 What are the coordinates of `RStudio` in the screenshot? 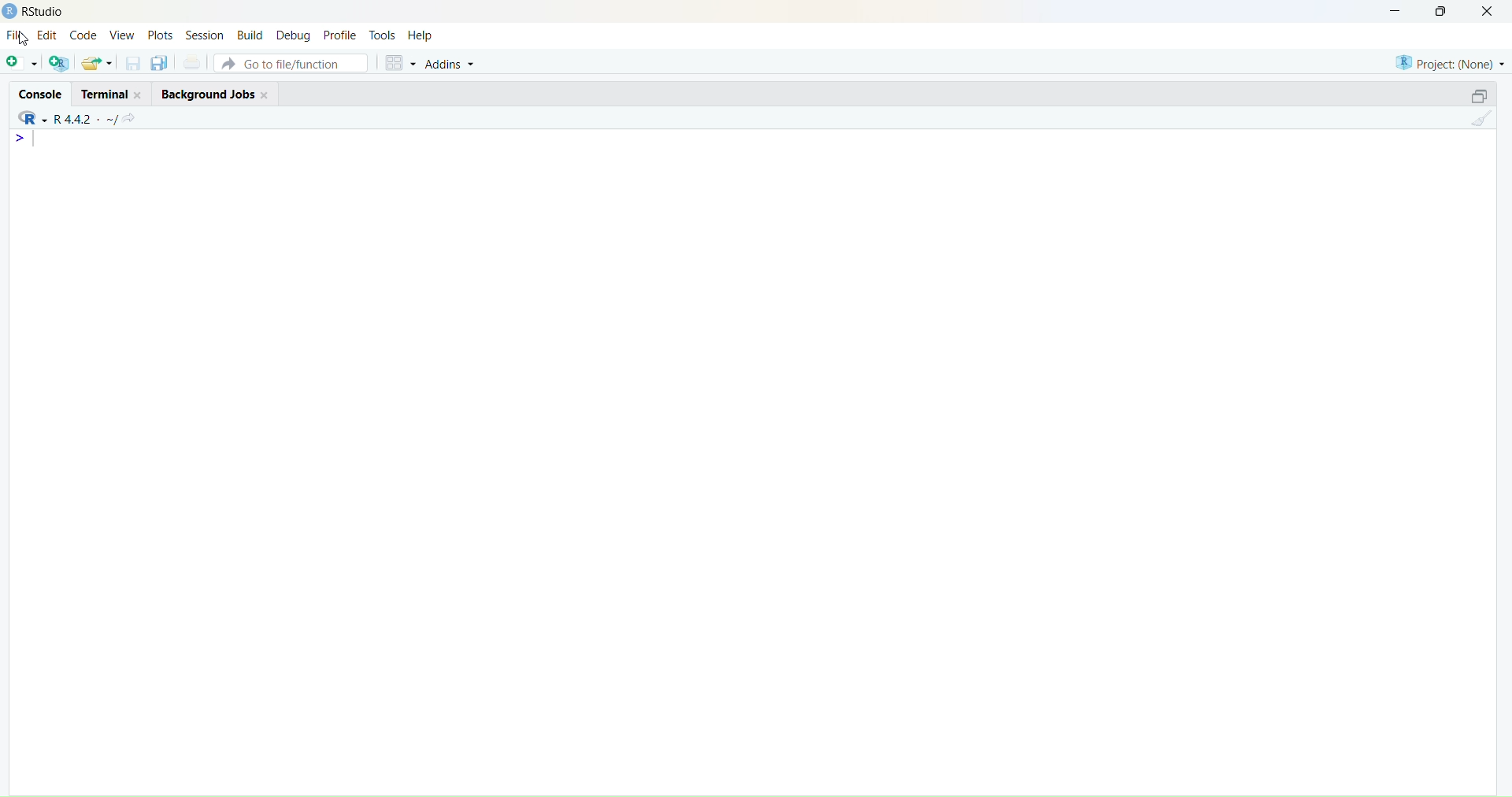 It's located at (32, 120).